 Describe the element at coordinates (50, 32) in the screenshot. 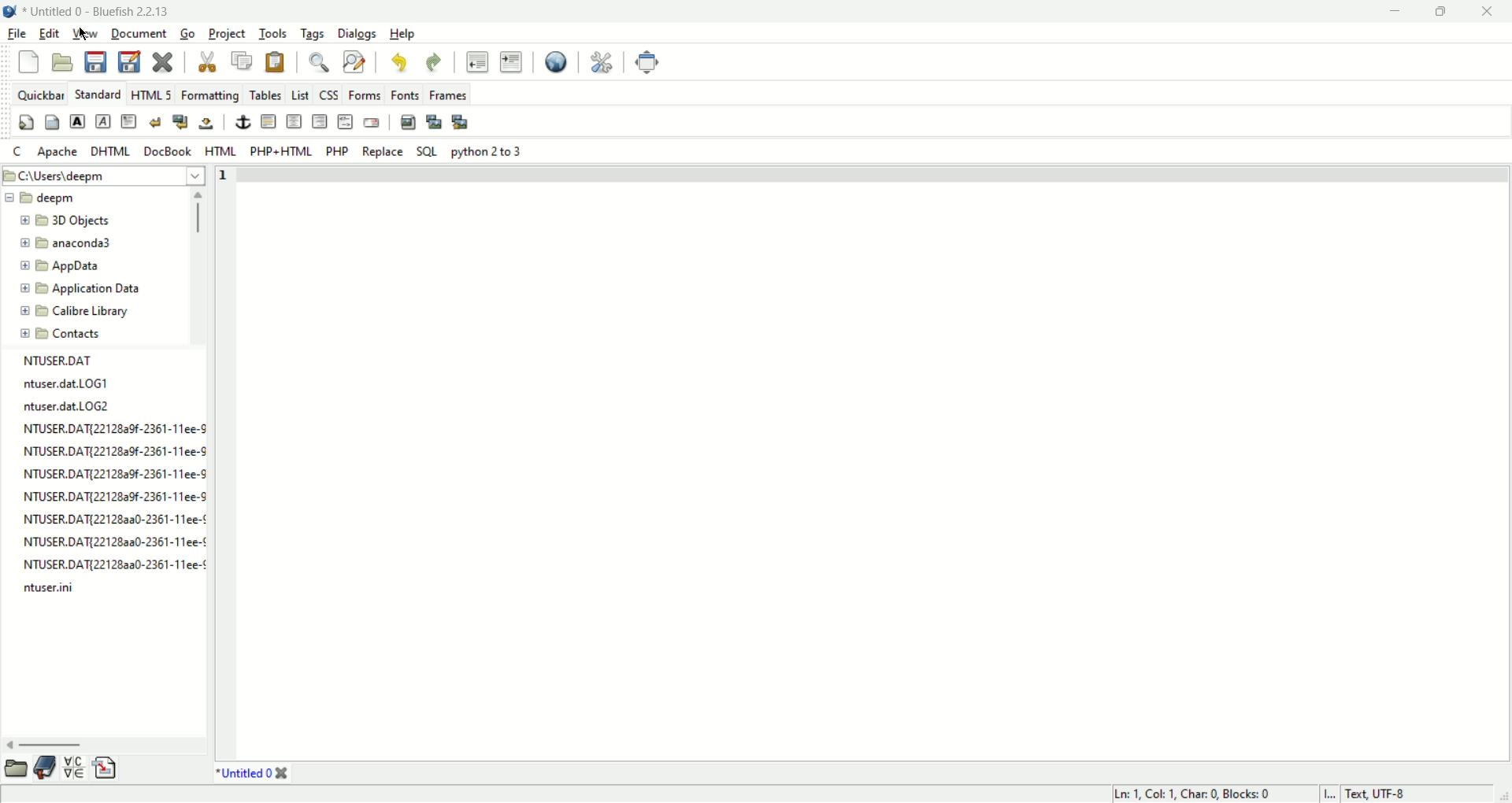

I see `edit` at that location.